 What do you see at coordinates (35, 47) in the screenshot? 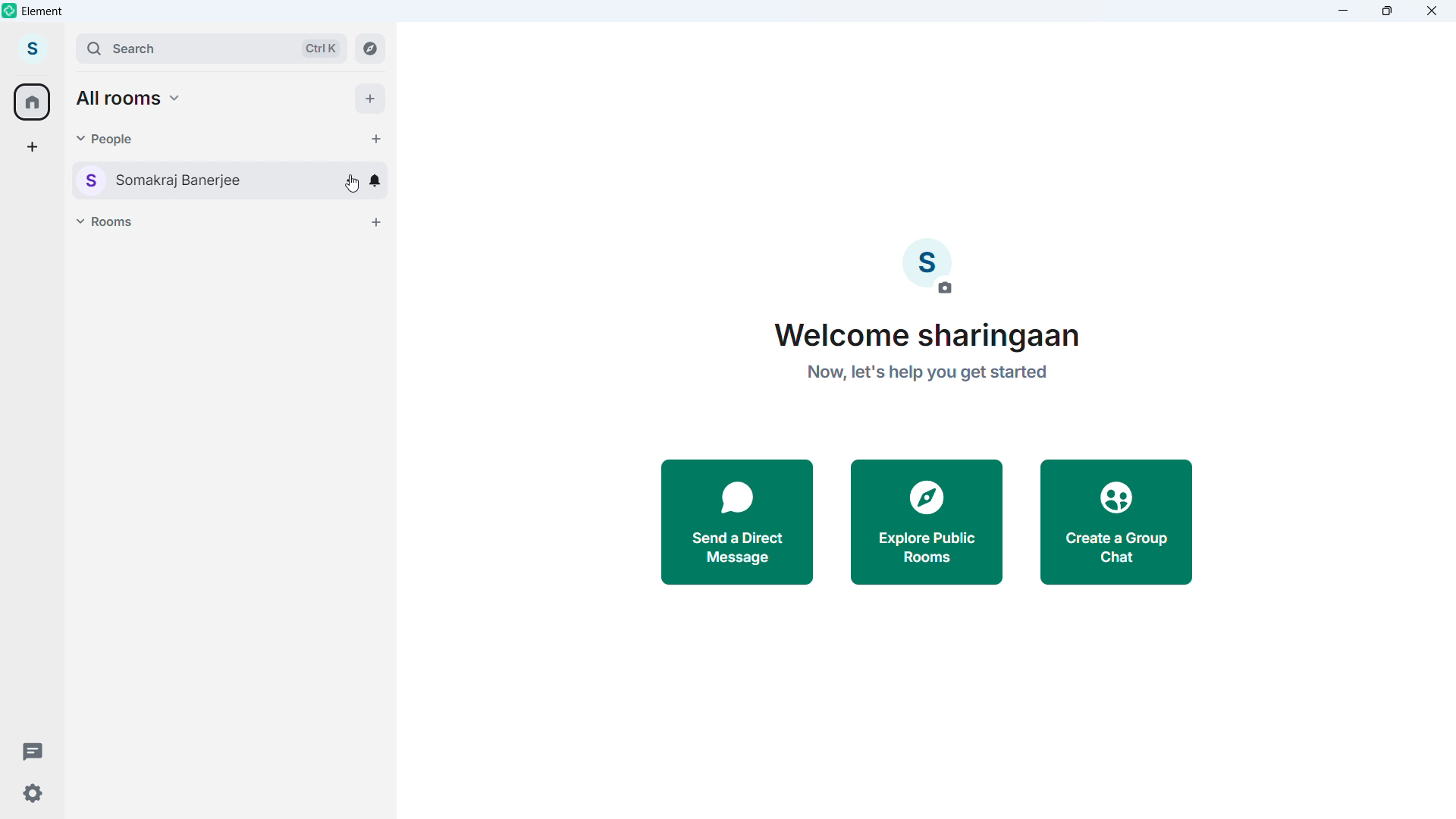
I see `account ` at bounding box center [35, 47].